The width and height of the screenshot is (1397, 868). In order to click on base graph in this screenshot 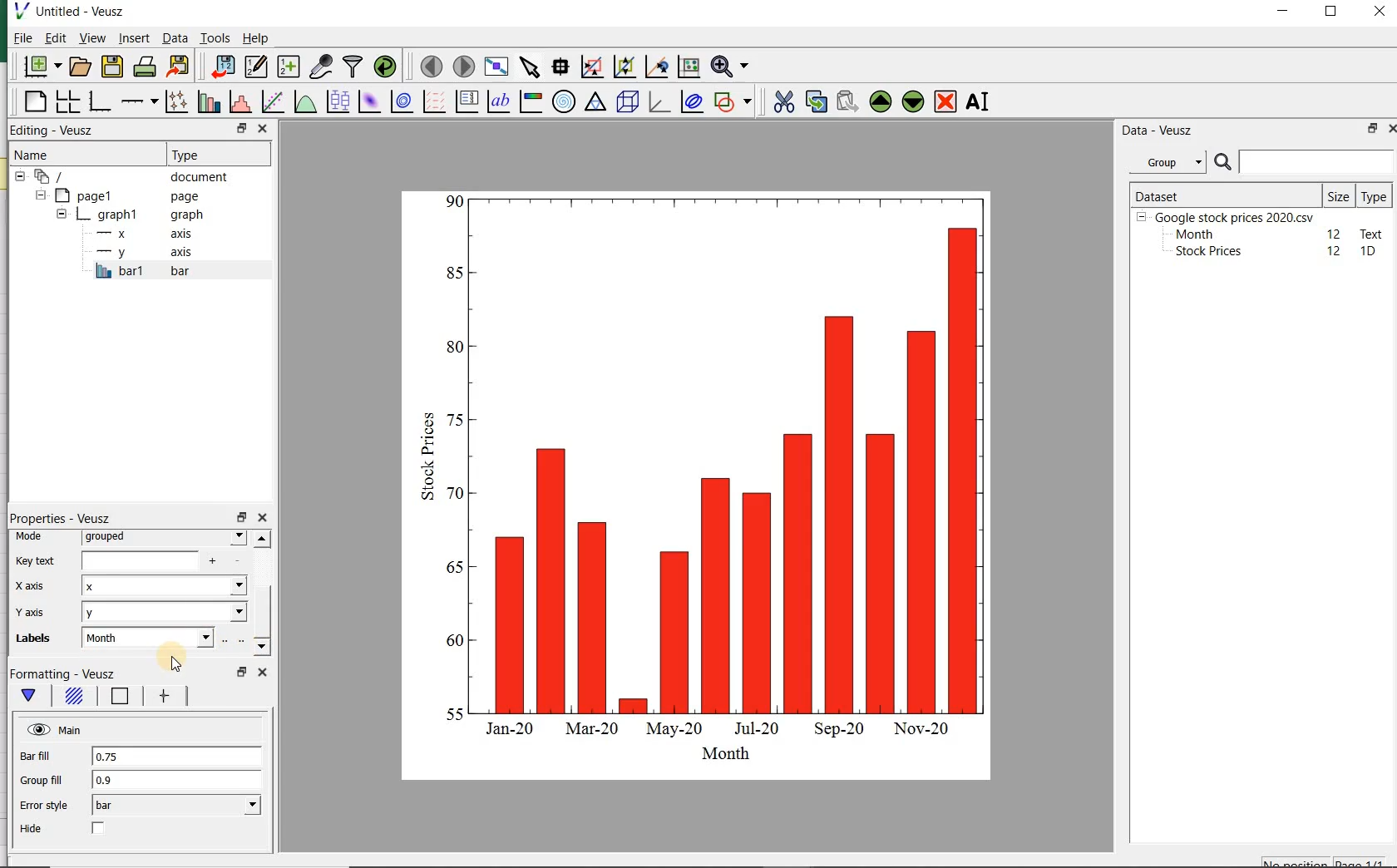, I will do `click(99, 102)`.